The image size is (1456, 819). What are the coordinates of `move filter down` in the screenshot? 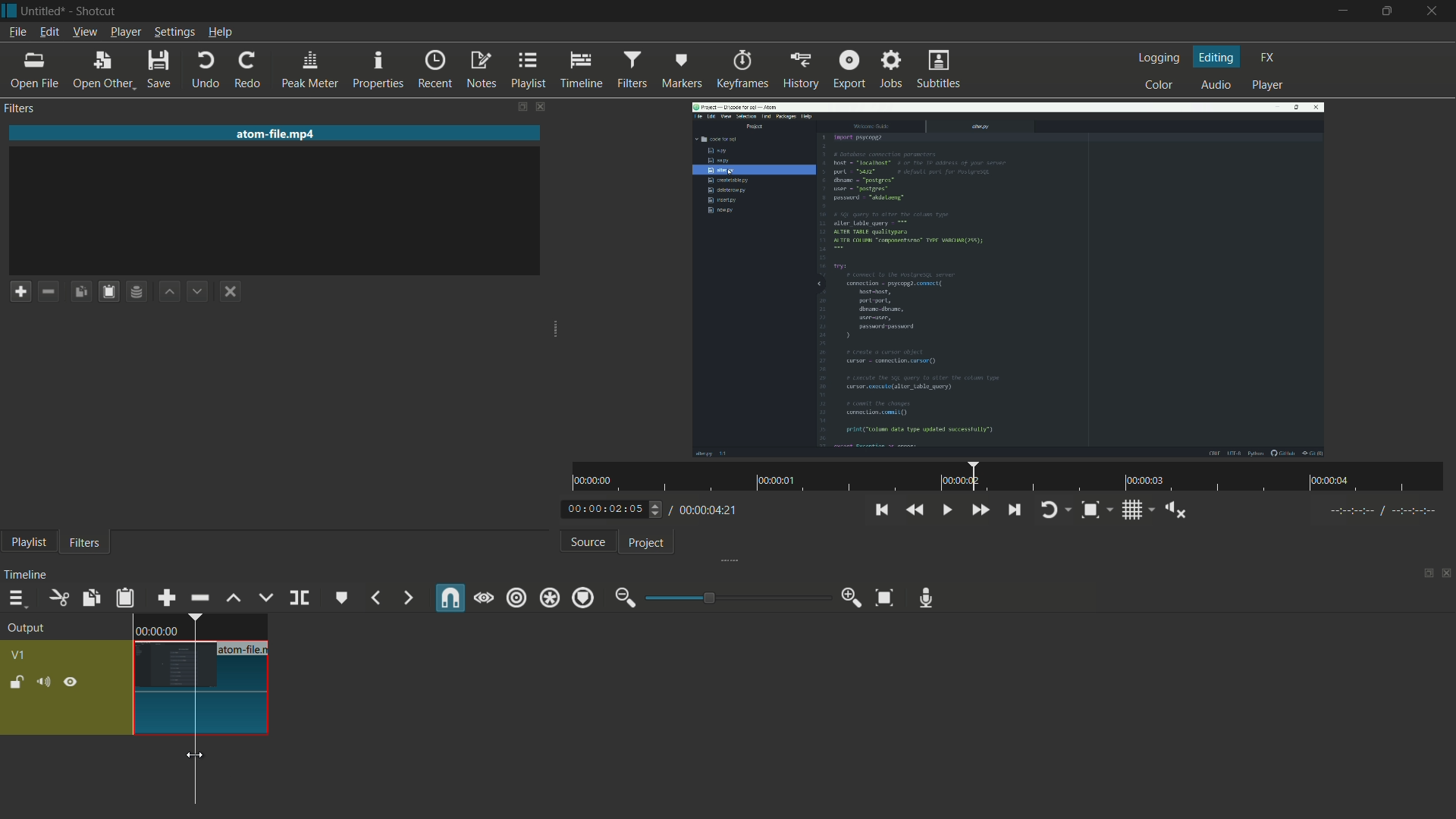 It's located at (199, 291).